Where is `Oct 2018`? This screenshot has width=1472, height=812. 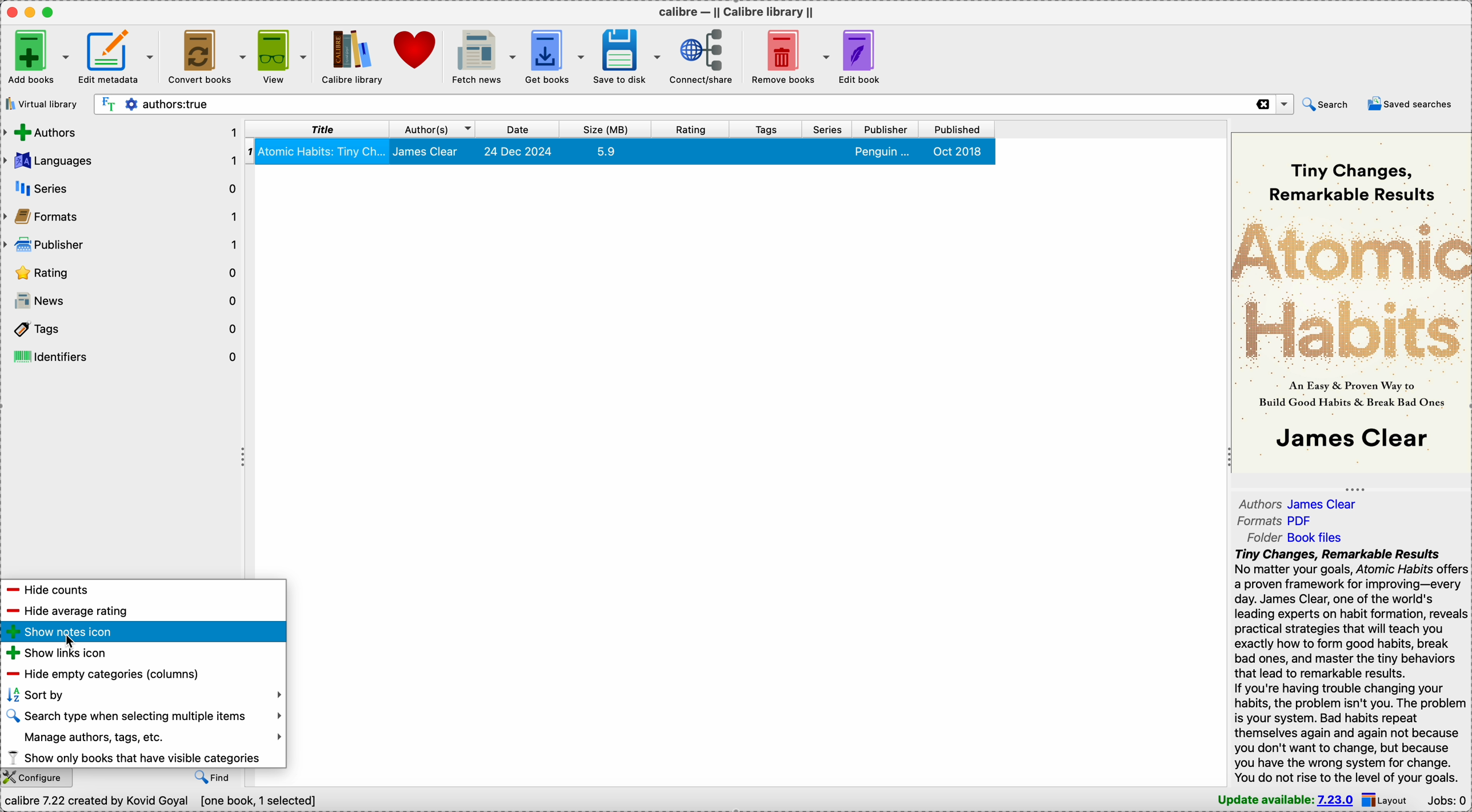
Oct 2018 is located at coordinates (959, 151).